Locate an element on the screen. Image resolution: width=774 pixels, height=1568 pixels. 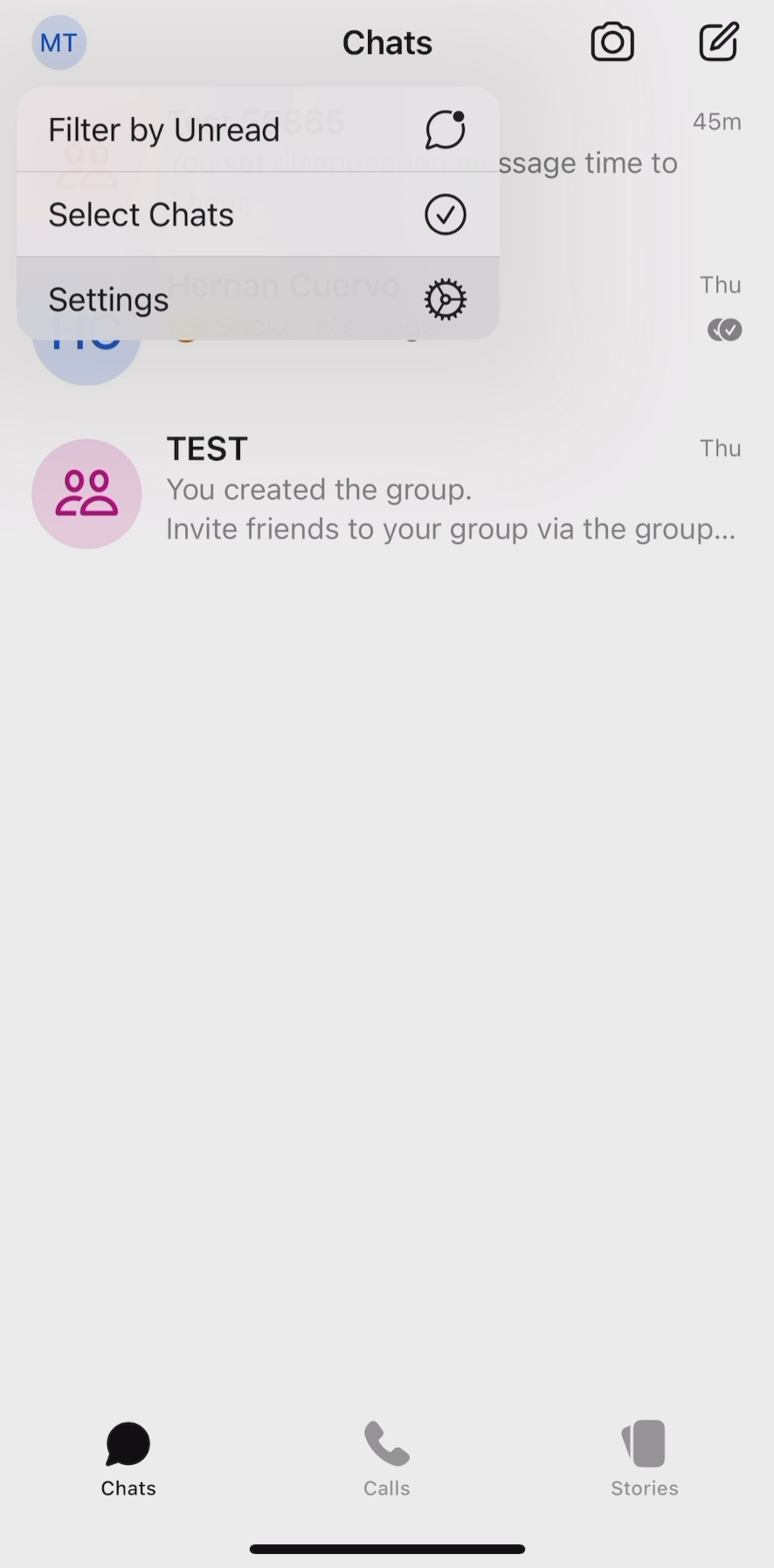
text of chats is located at coordinates (625, 225).